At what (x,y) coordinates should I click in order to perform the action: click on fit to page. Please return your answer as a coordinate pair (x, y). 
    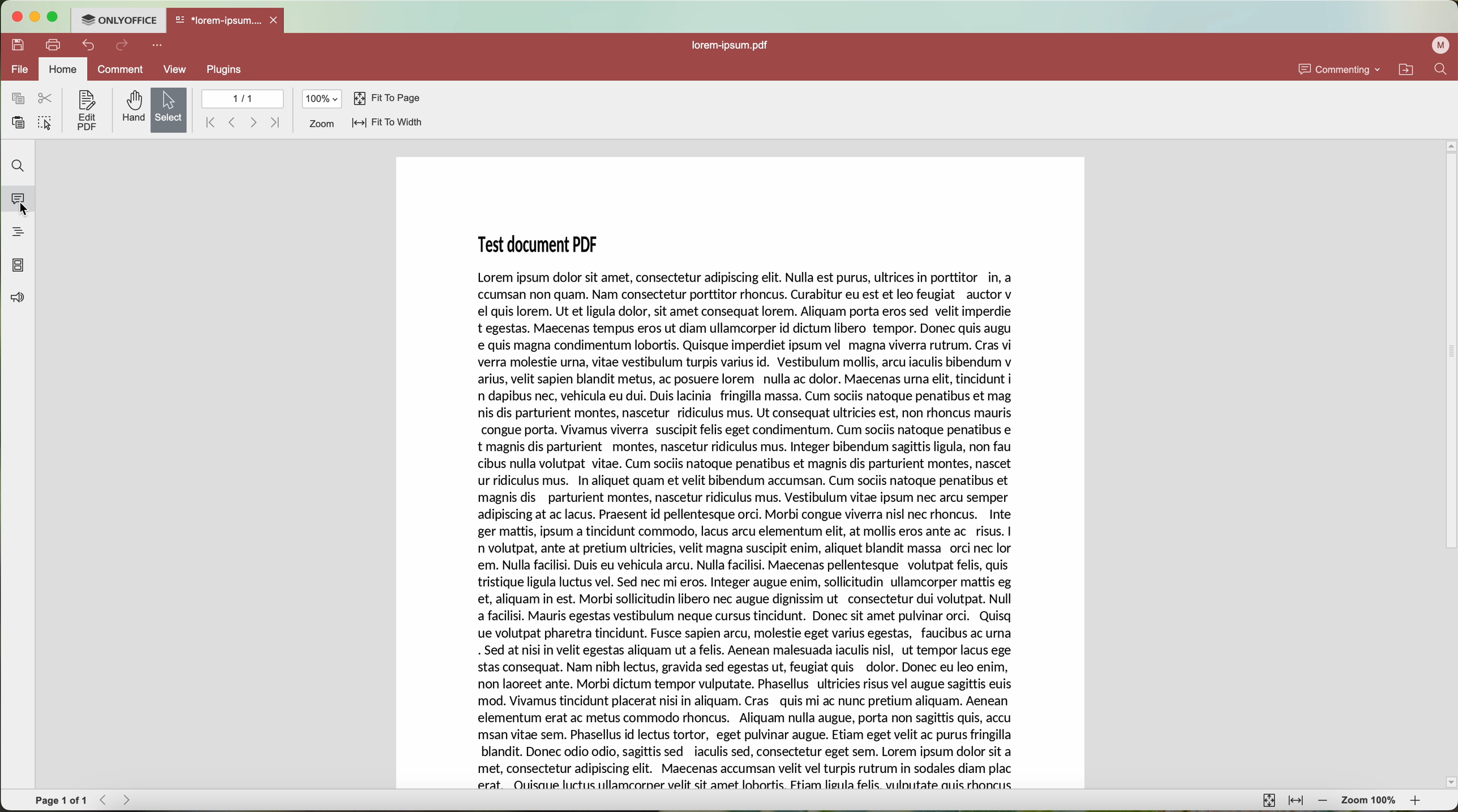
    Looking at the image, I should click on (387, 100).